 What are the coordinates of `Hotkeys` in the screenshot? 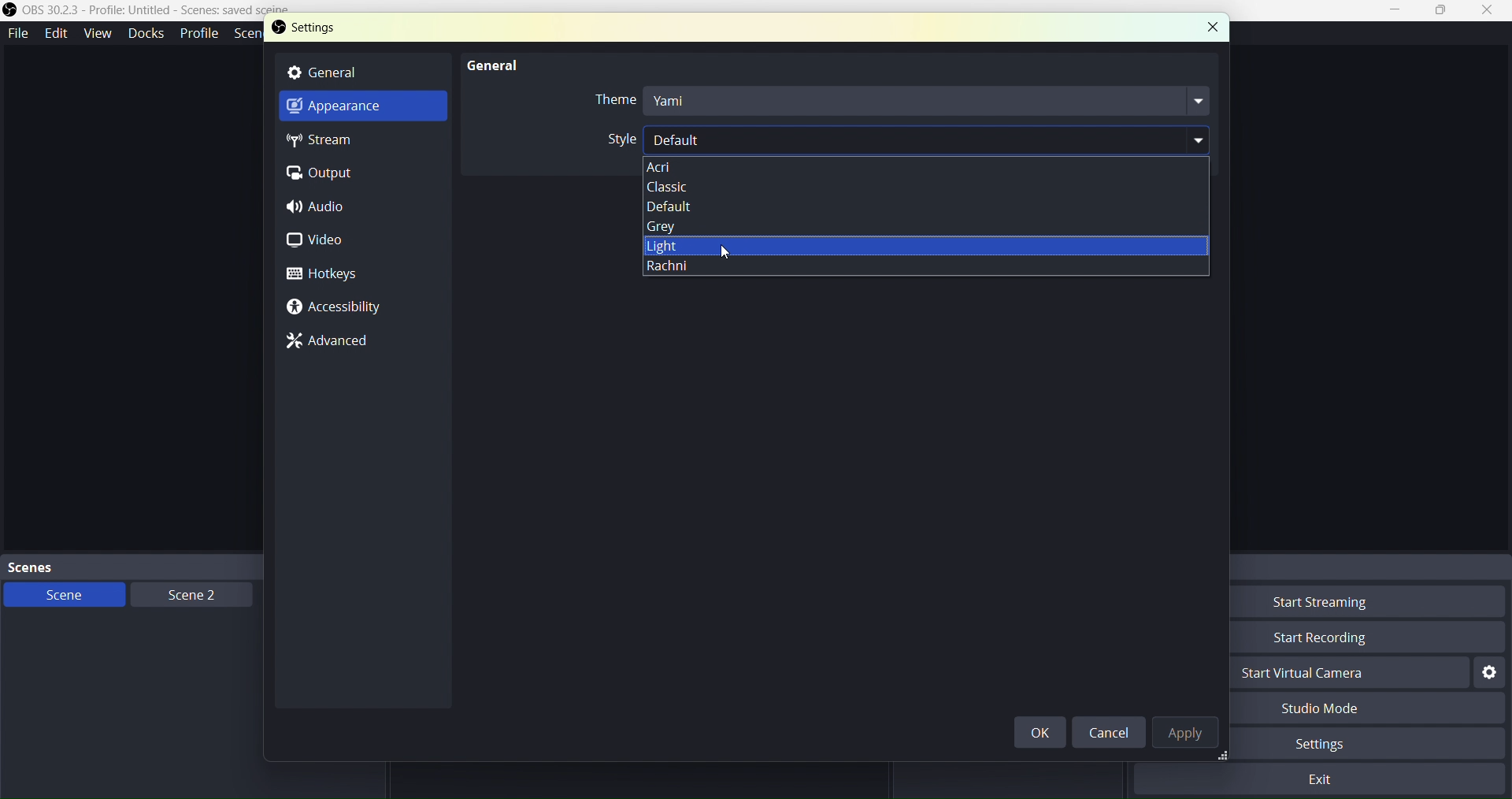 It's located at (324, 276).